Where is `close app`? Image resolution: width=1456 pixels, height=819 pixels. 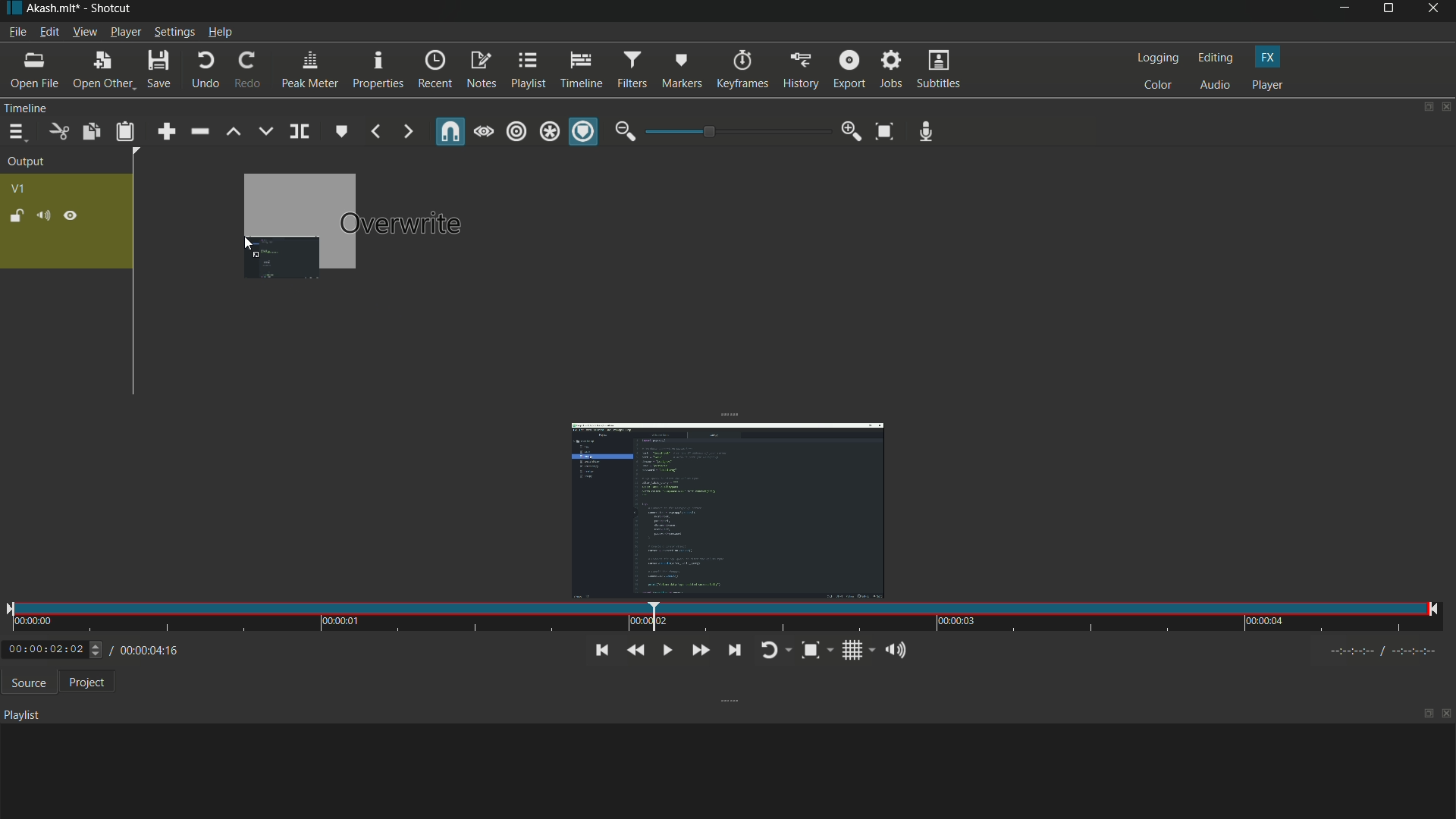 close app is located at coordinates (1436, 11).